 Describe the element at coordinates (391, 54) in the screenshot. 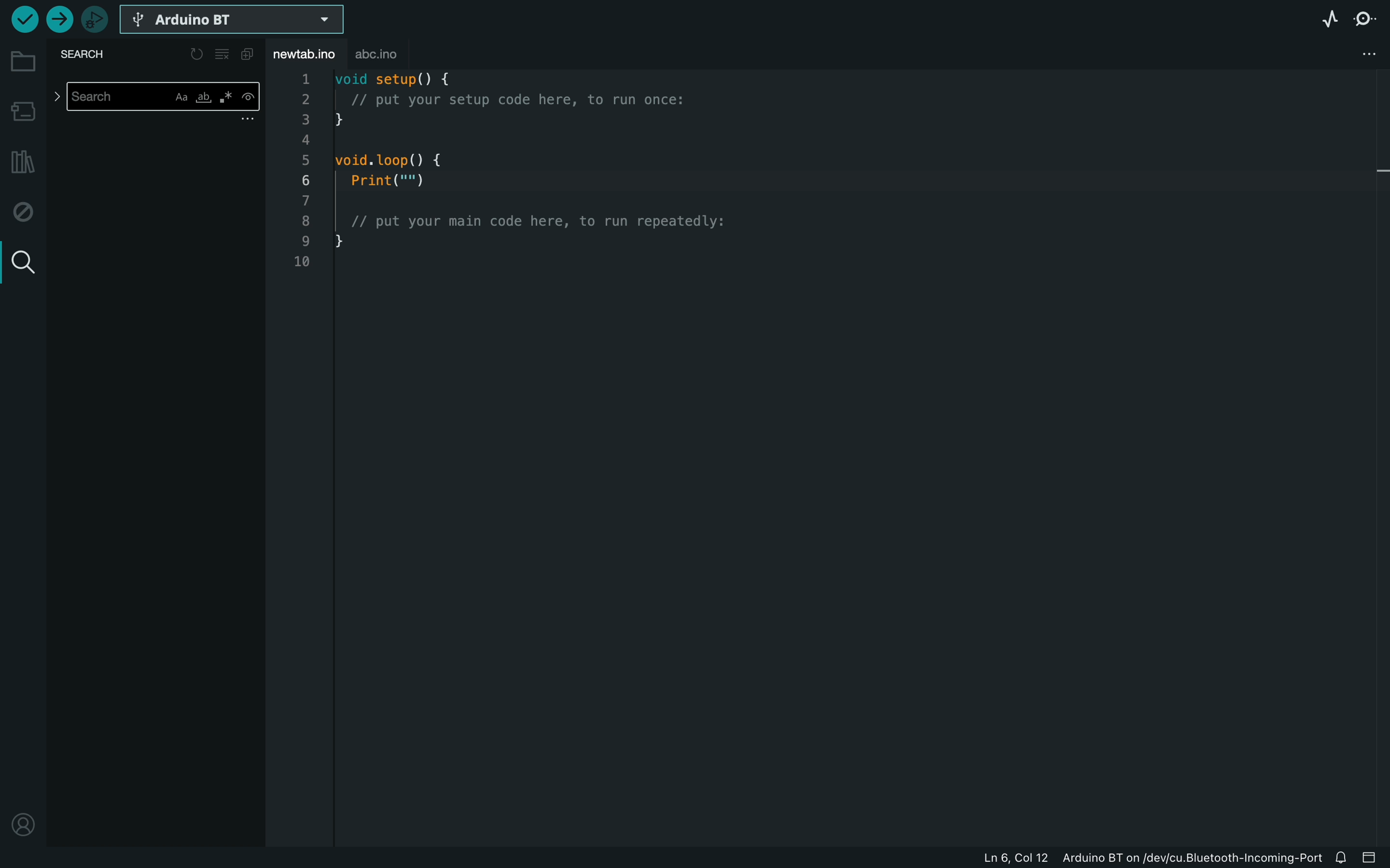

I see `abc` at that location.